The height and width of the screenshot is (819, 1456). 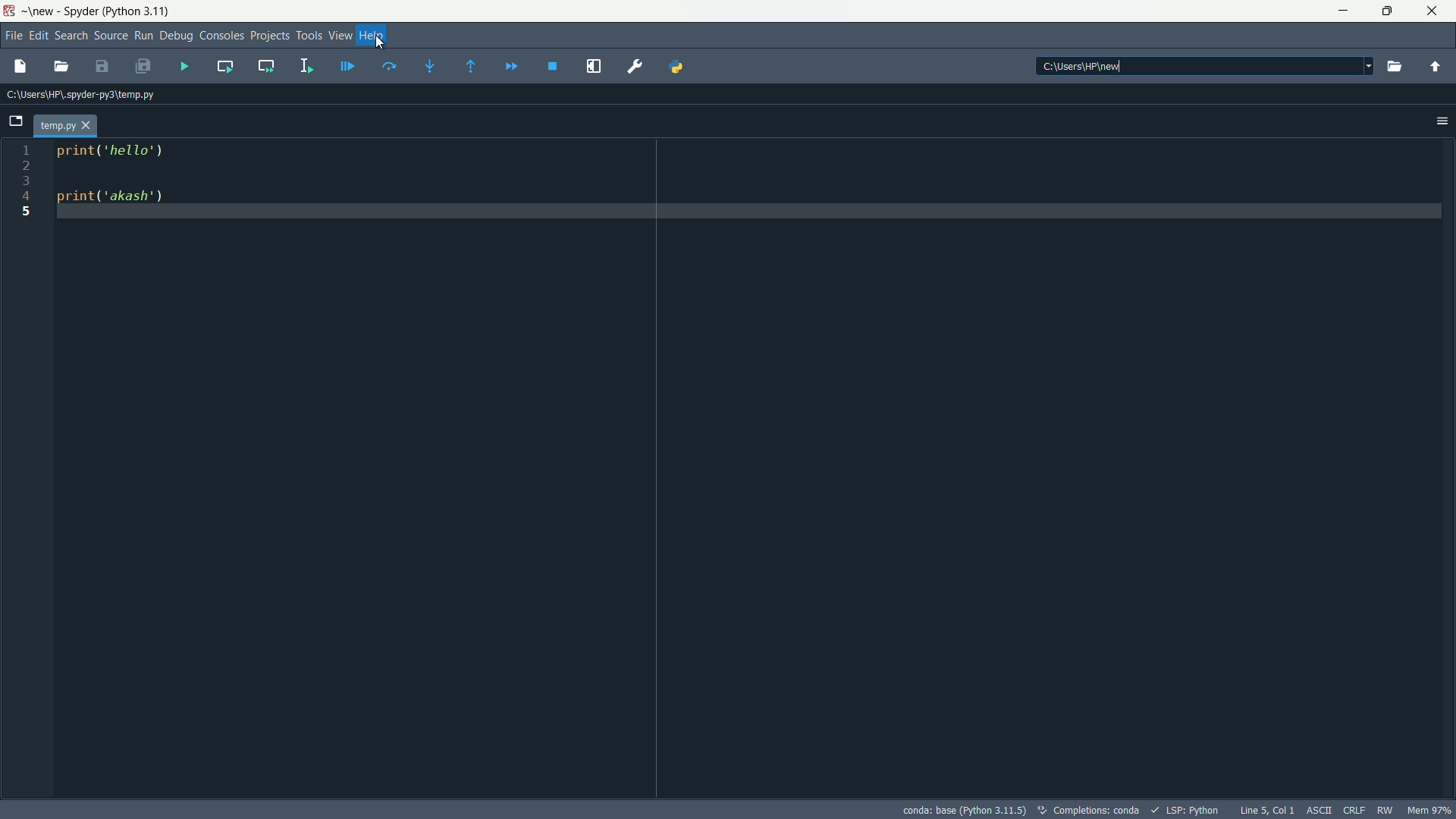 I want to click on run current cell and go to the next one , so click(x=265, y=64).